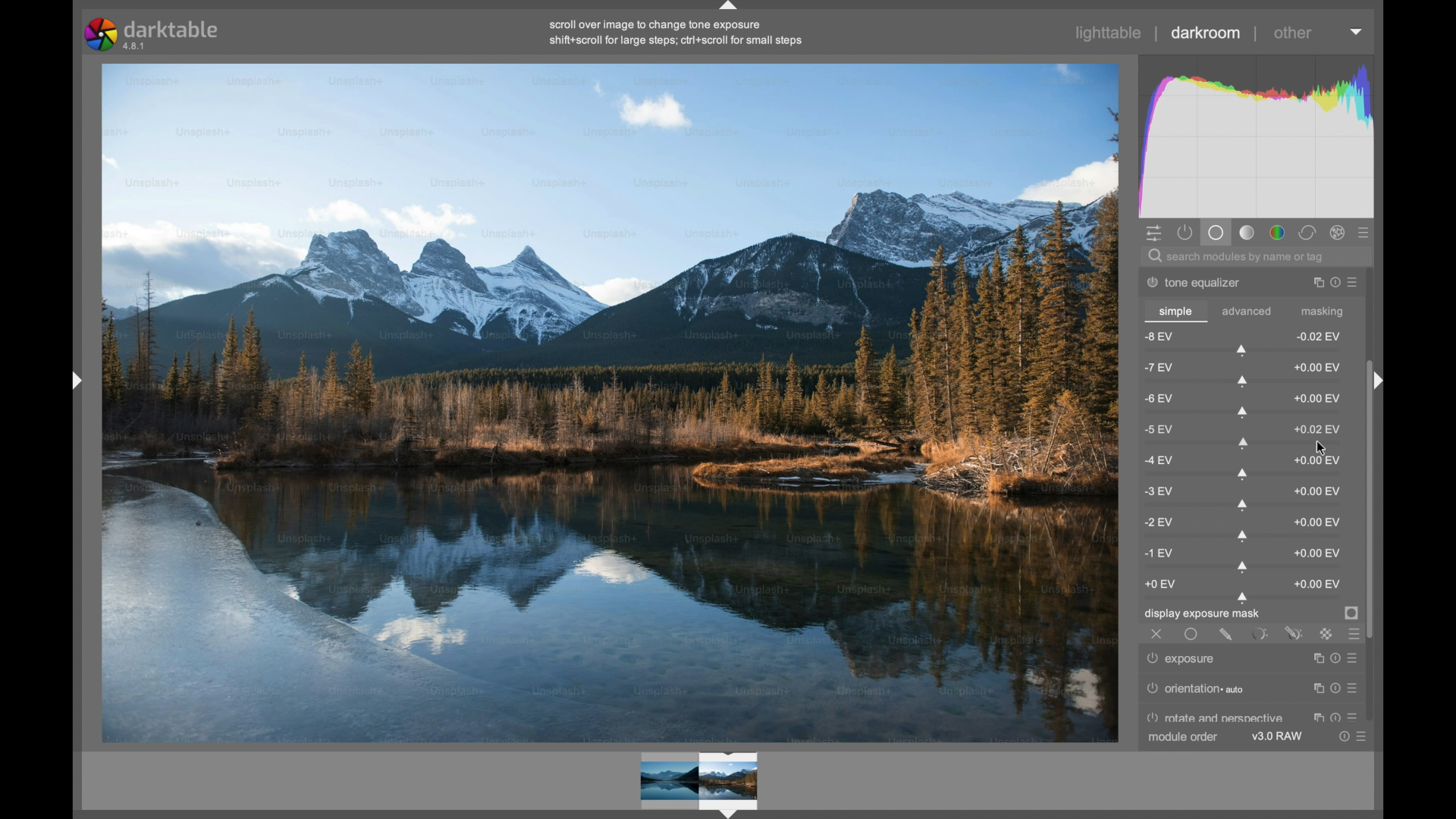  What do you see at coordinates (1326, 635) in the screenshot?
I see `raster mask` at bounding box center [1326, 635].